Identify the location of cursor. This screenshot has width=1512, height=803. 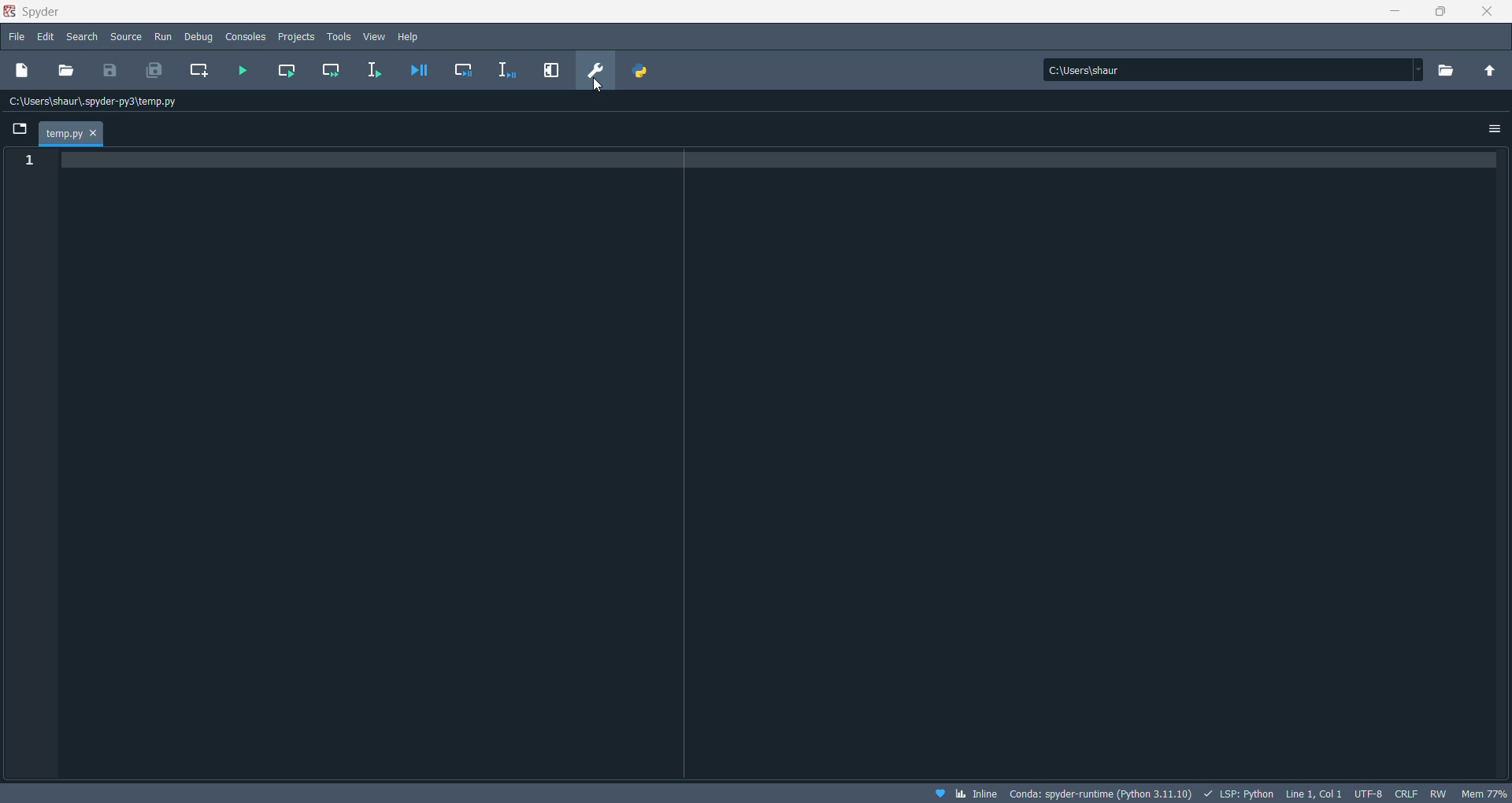
(596, 87).